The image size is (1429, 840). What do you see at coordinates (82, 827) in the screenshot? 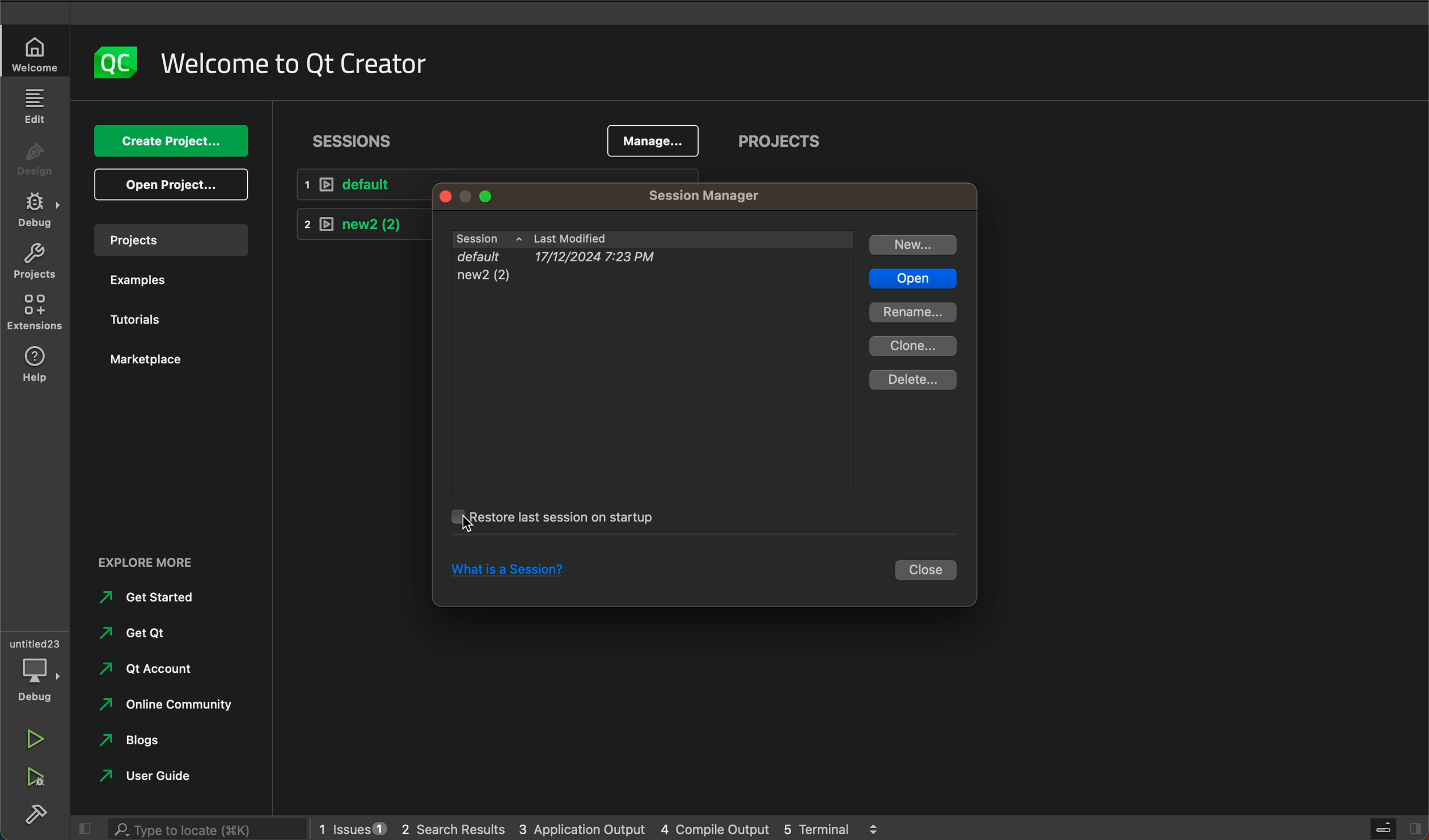
I see `close slide bar` at bounding box center [82, 827].